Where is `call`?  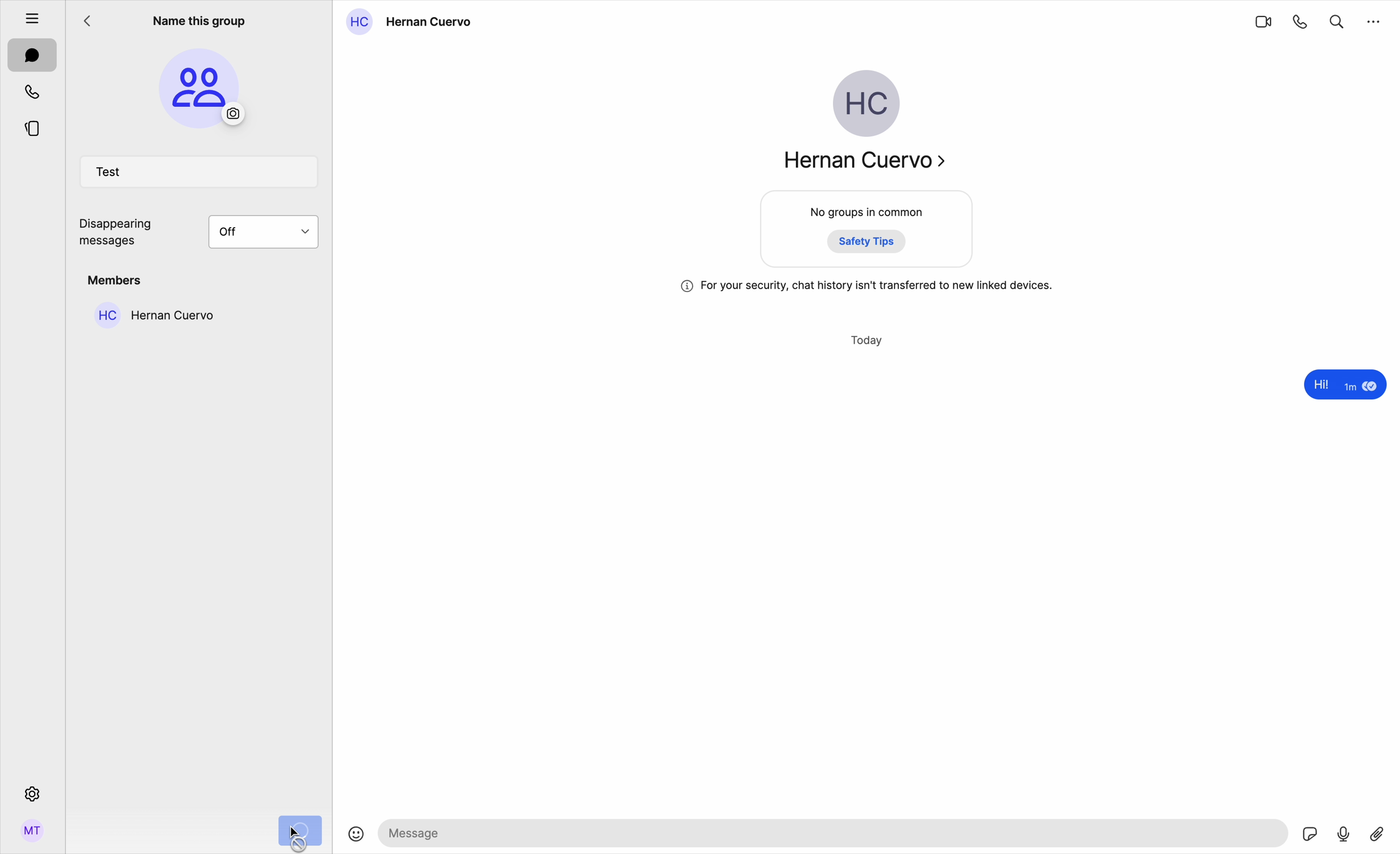 call is located at coordinates (1301, 21).